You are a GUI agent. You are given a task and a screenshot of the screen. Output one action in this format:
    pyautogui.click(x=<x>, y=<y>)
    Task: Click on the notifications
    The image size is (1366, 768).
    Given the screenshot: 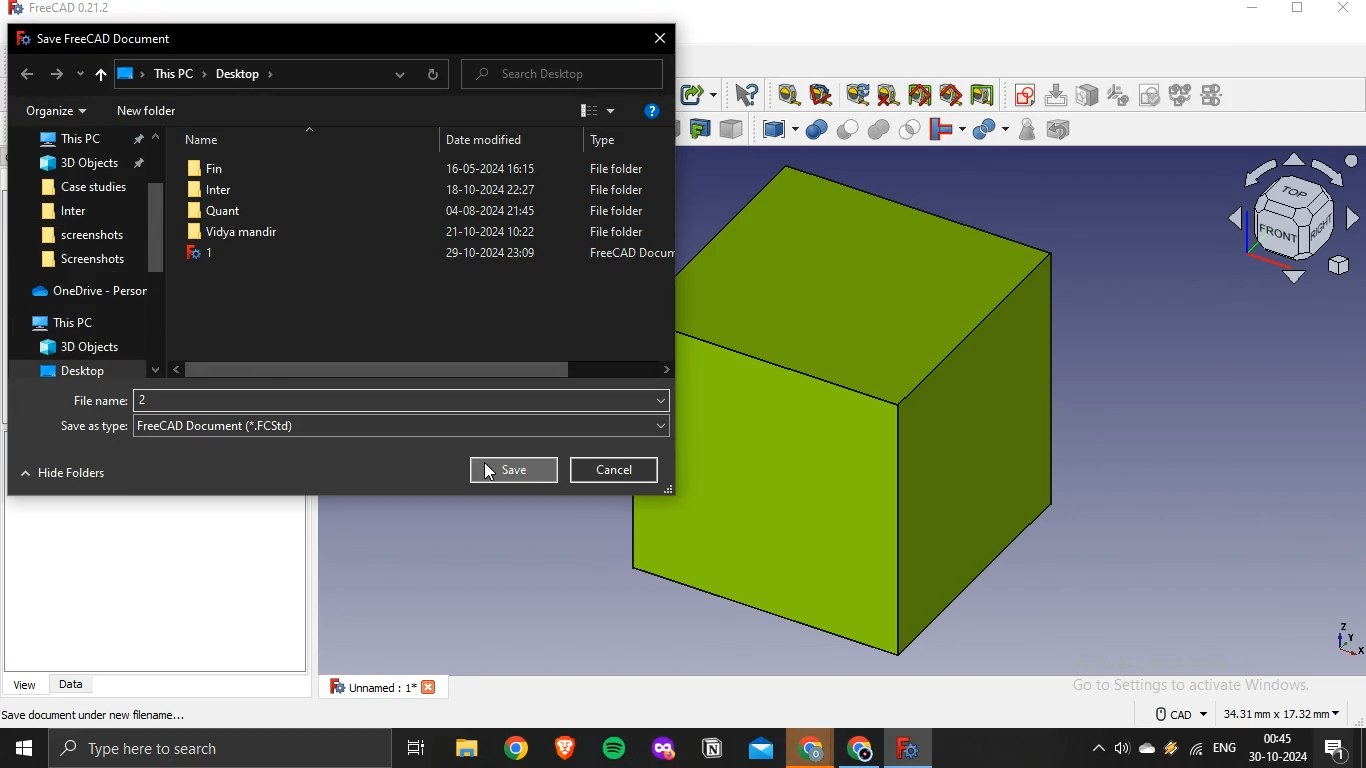 What is the action you would take?
    pyautogui.click(x=1336, y=749)
    